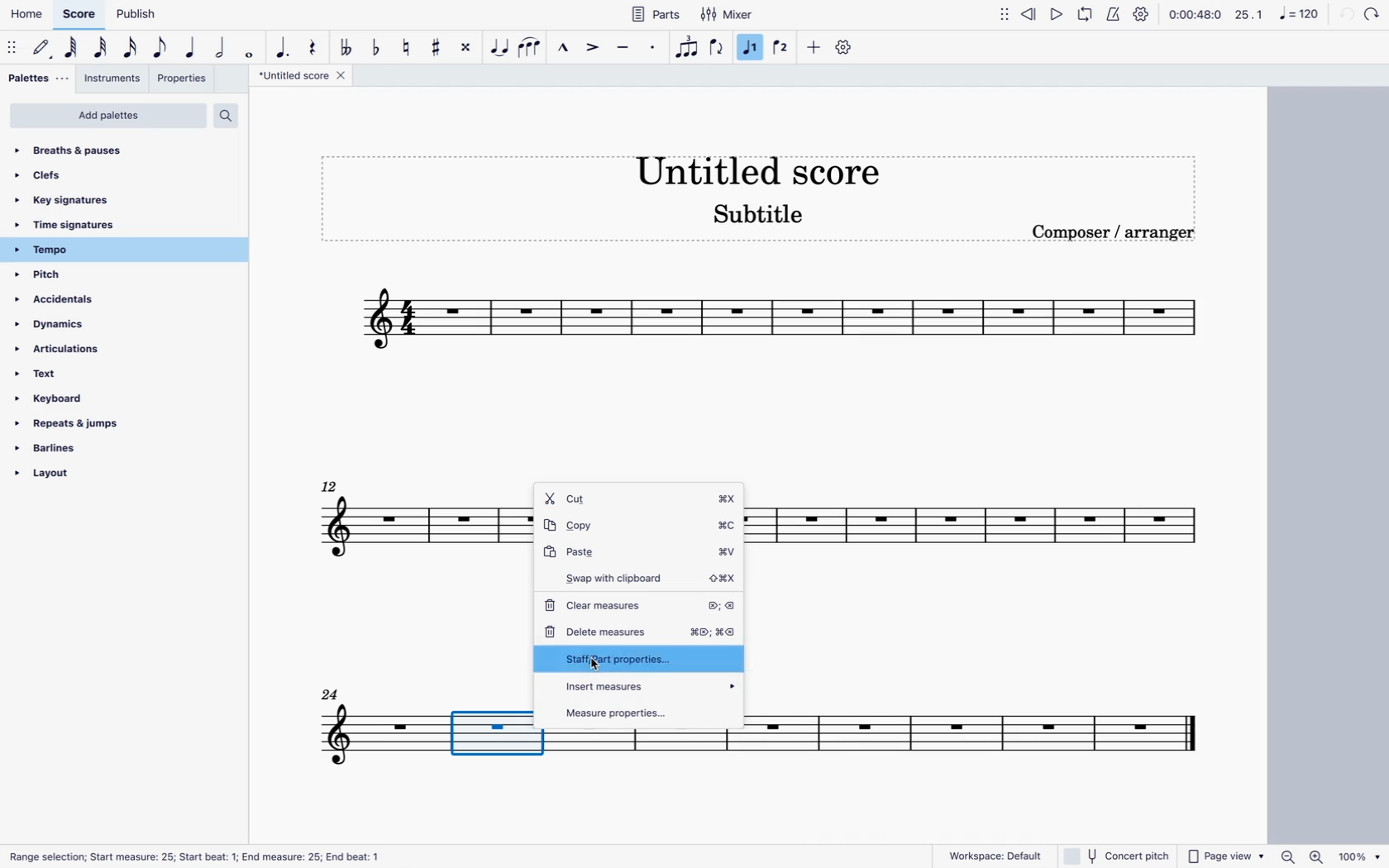 The image size is (1389, 868). What do you see at coordinates (987, 855) in the screenshot?
I see `workspace` at bounding box center [987, 855].